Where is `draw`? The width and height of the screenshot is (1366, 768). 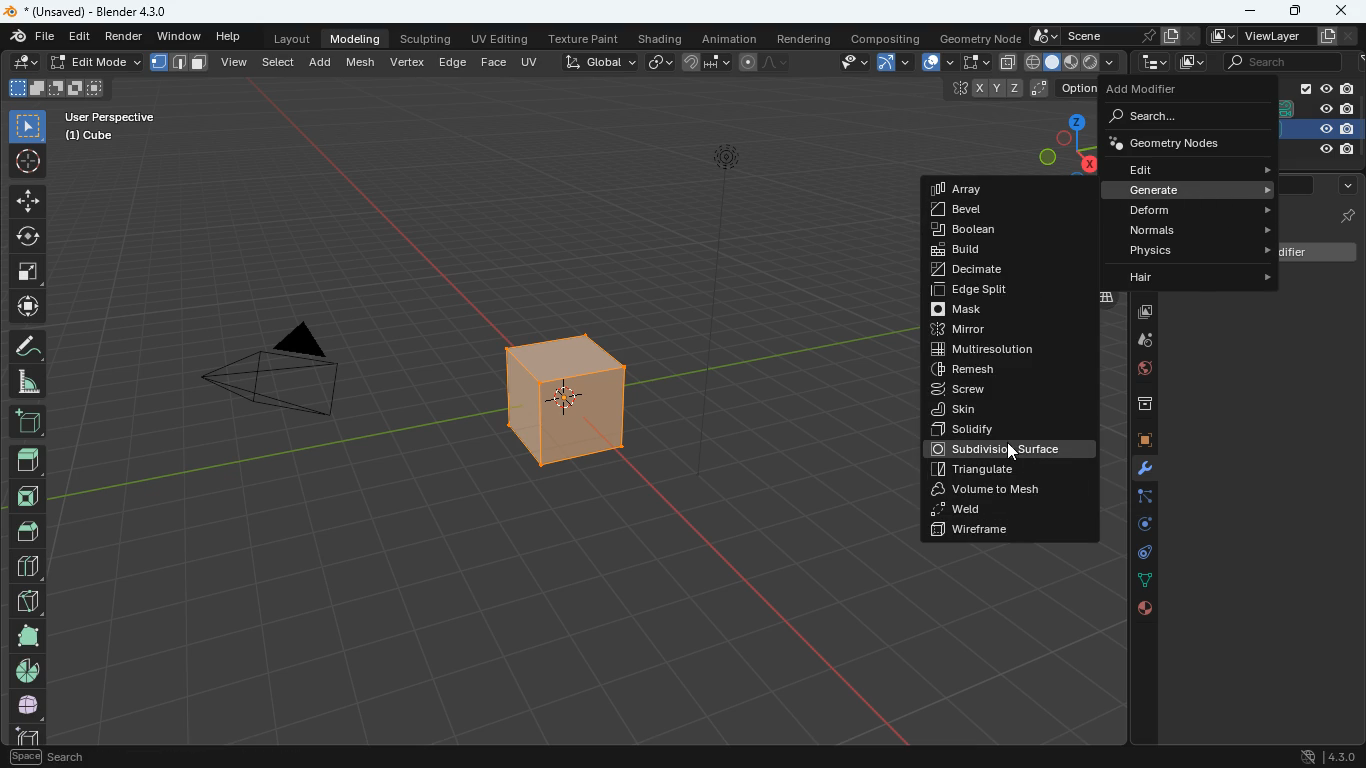
draw is located at coordinates (29, 348).